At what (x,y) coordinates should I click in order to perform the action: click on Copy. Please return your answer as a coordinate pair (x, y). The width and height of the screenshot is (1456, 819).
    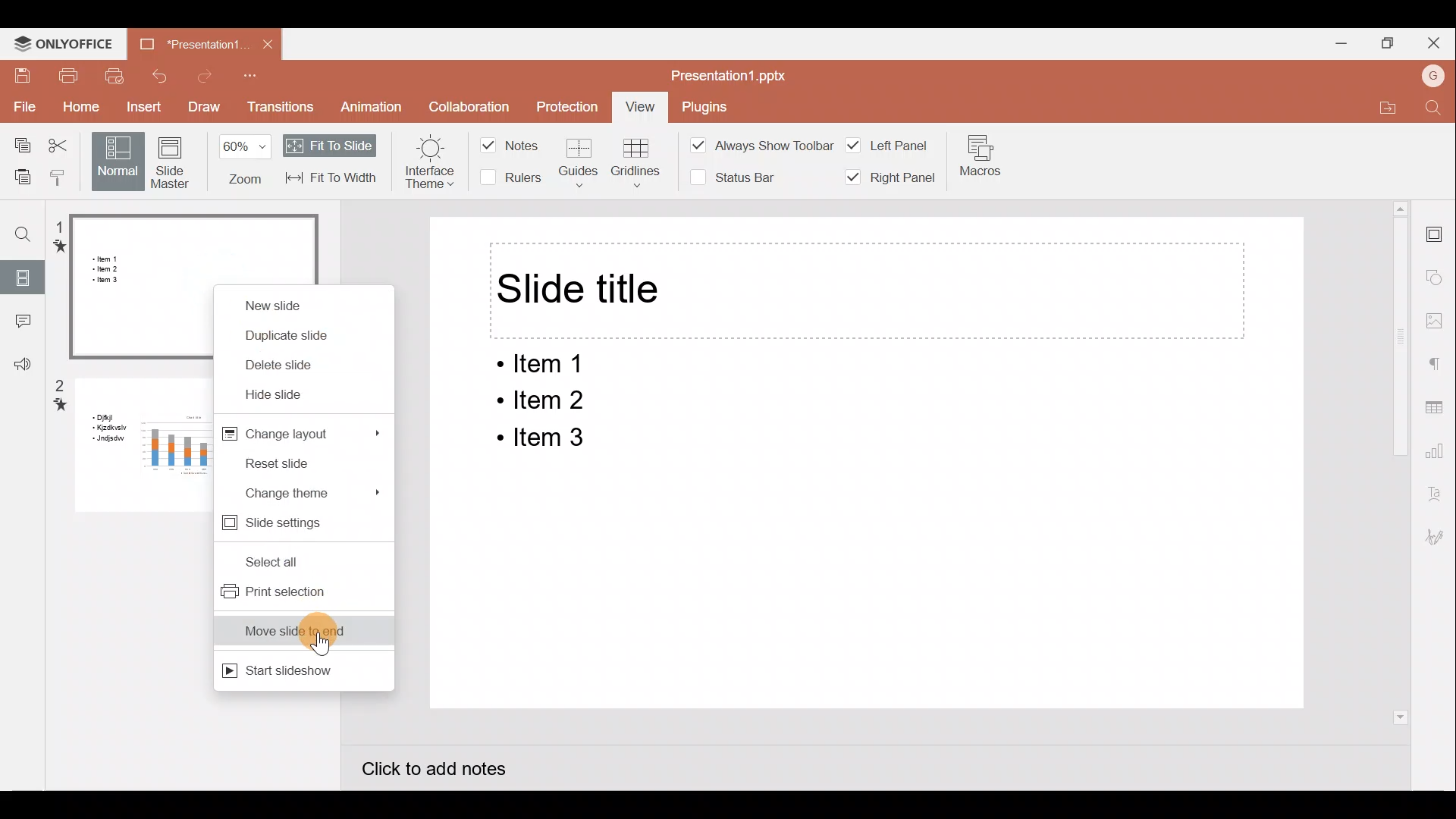
    Looking at the image, I should click on (17, 142).